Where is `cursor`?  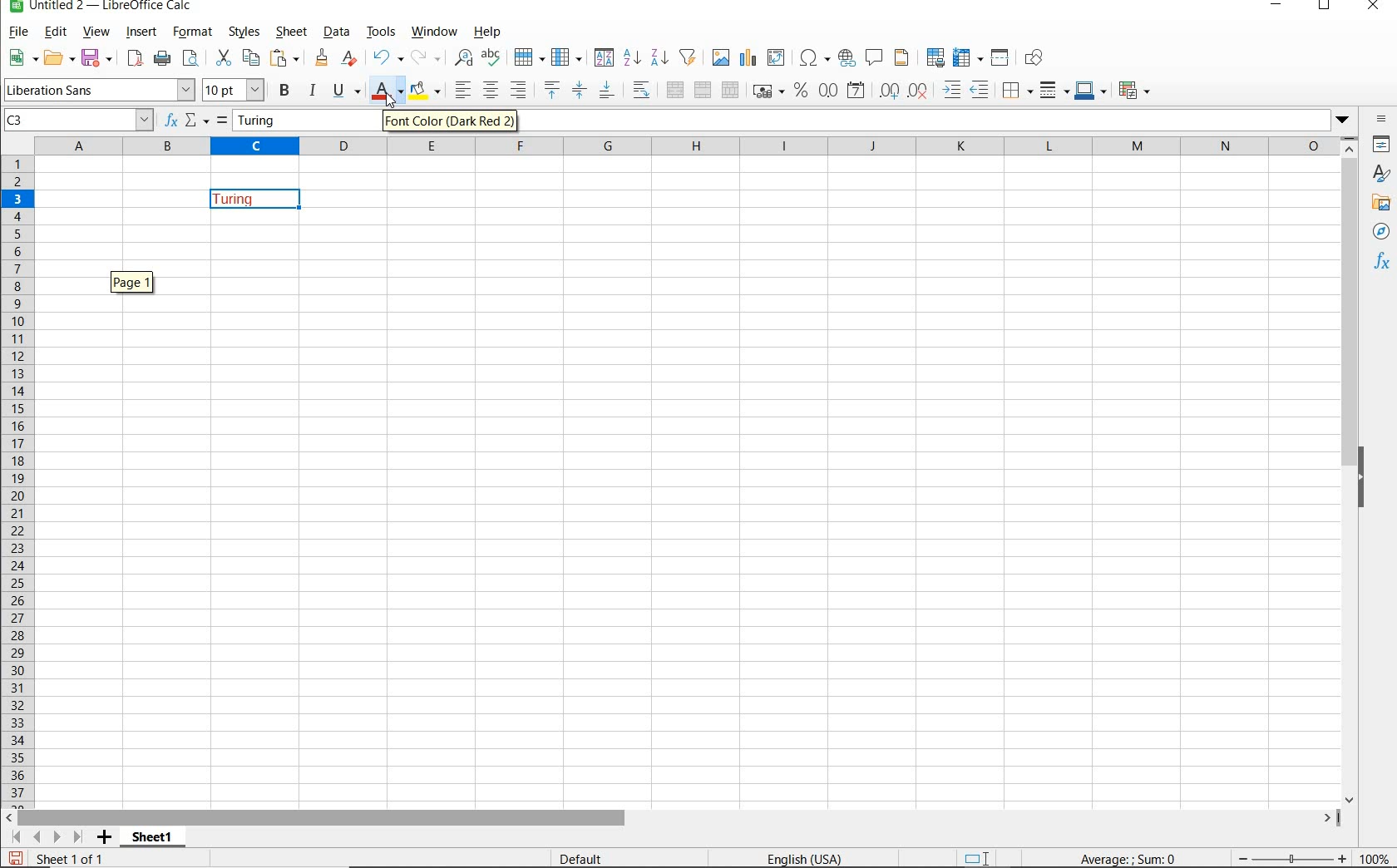 cursor is located at coordinates (392, 101).